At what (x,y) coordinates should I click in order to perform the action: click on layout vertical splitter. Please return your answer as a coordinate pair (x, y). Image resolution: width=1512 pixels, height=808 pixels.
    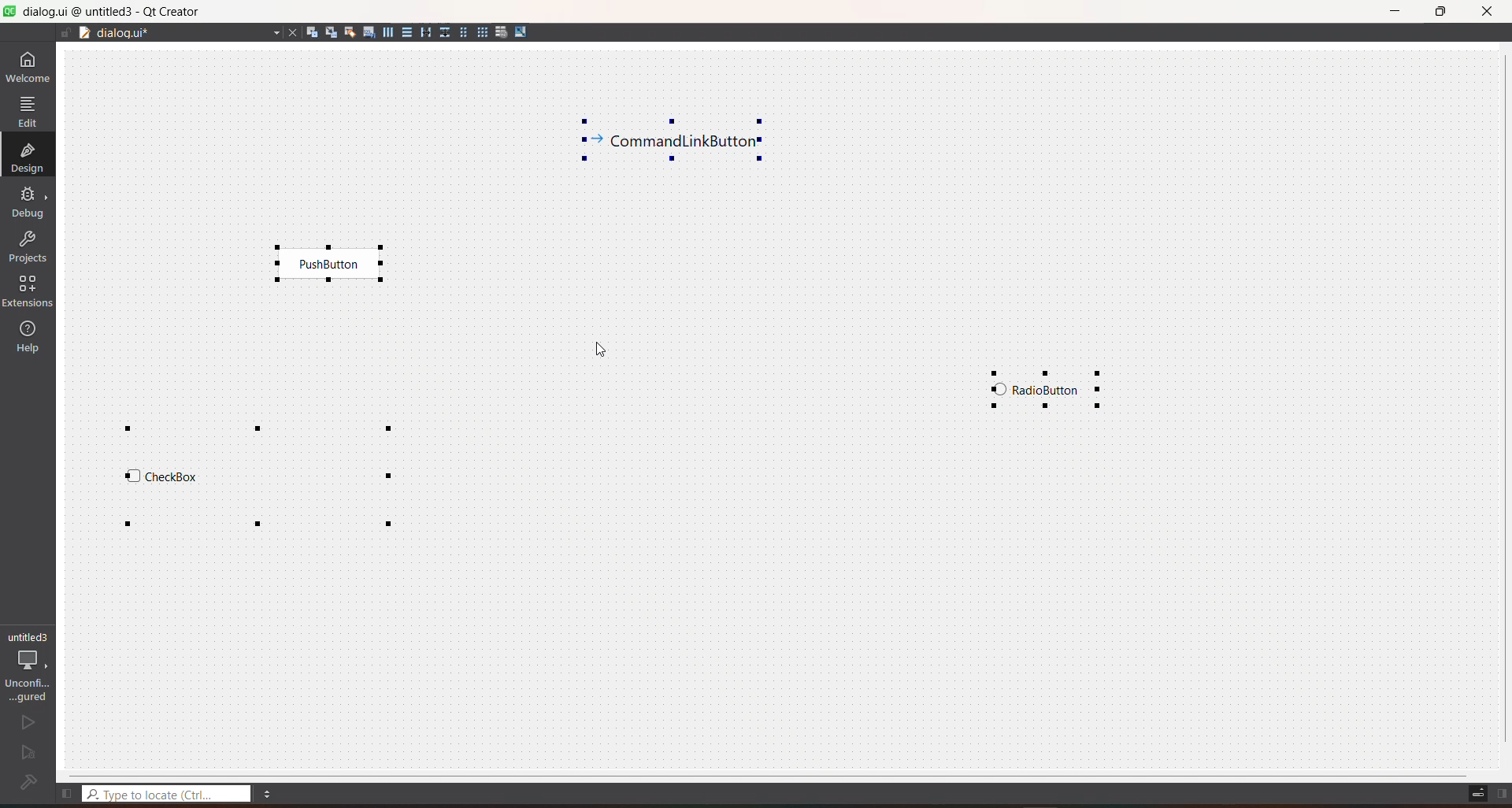
    Looking at the image, I should click on (443, 33).